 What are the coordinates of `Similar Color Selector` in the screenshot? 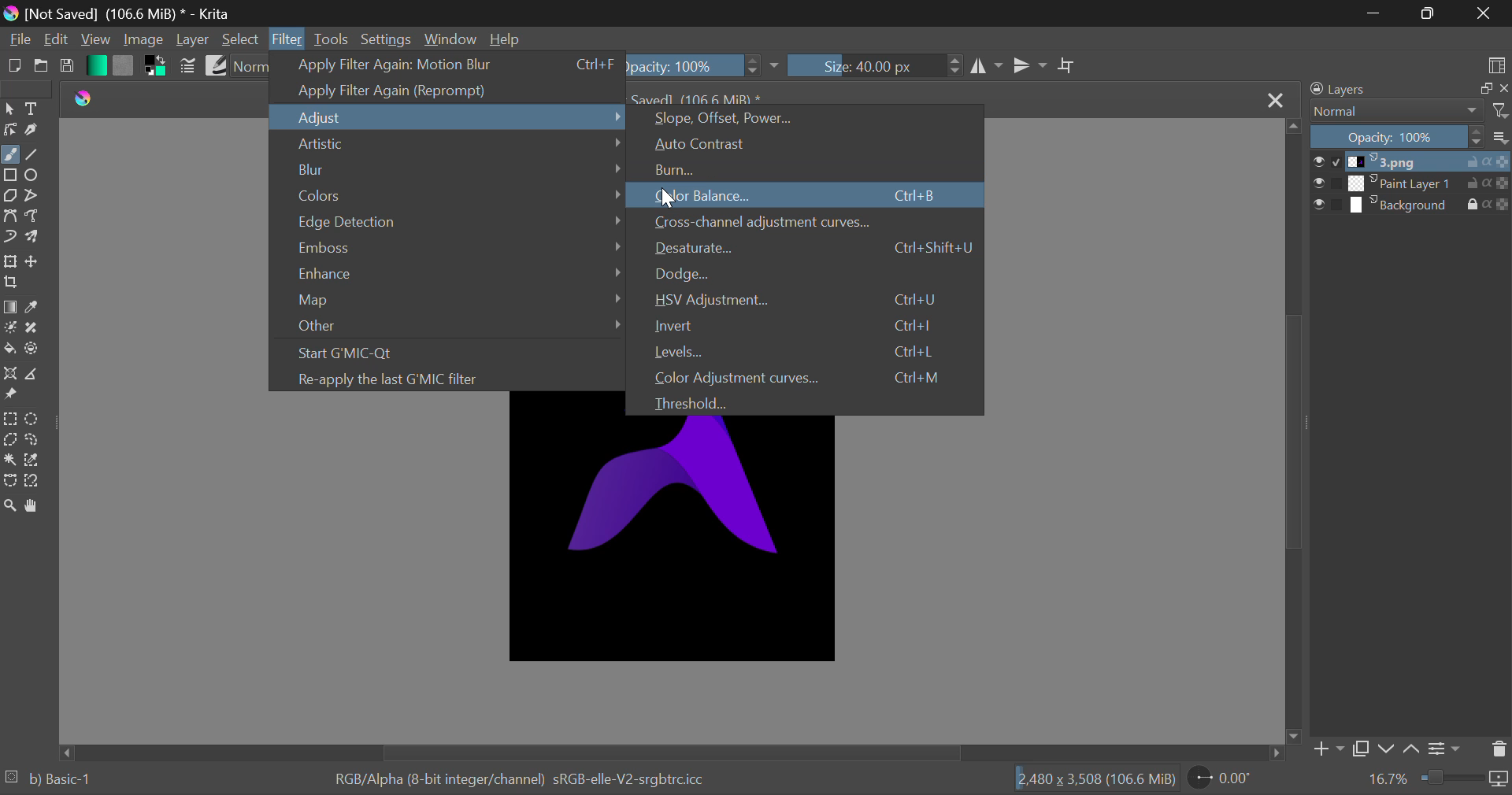 It's located at (36, 460).